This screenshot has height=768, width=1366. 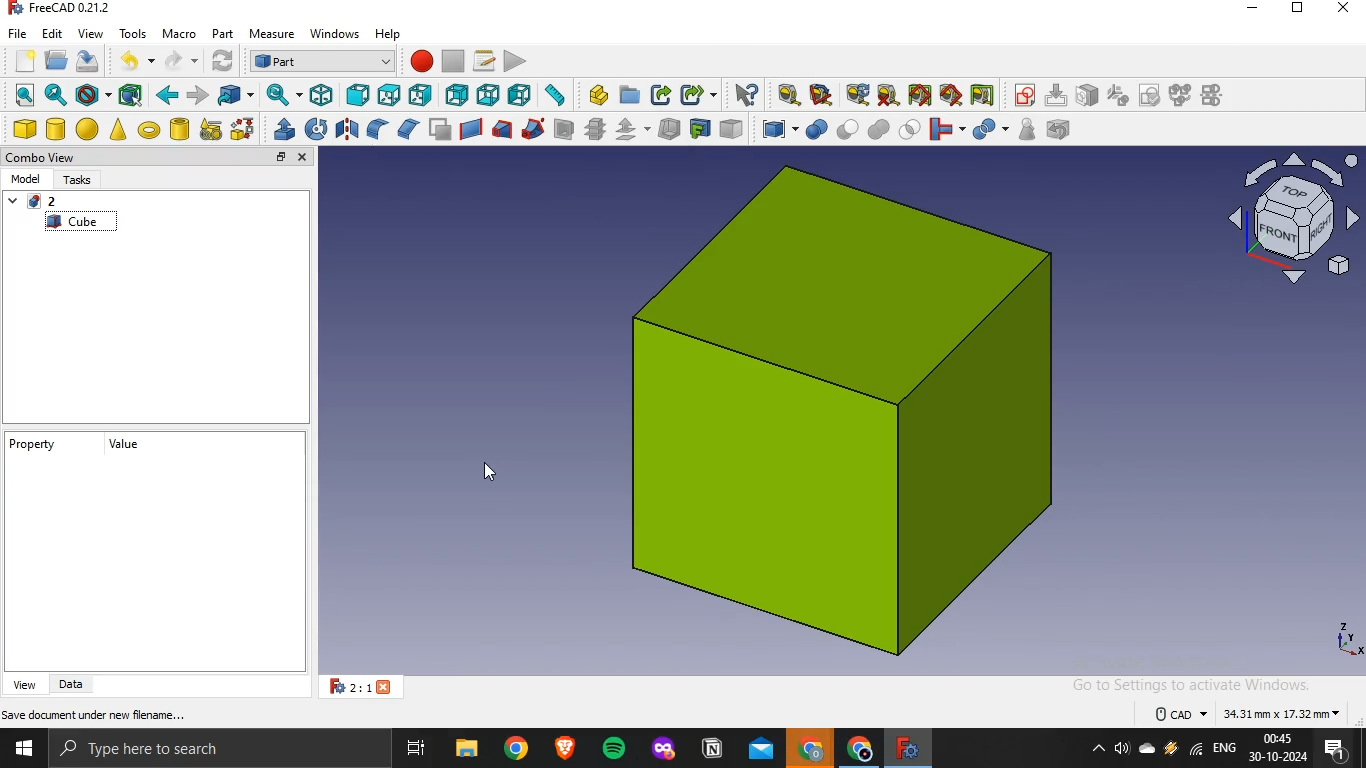 What do you see at coordinates (39, 444) in the screenshot?
I see `property` at bounding box center [39, 444].